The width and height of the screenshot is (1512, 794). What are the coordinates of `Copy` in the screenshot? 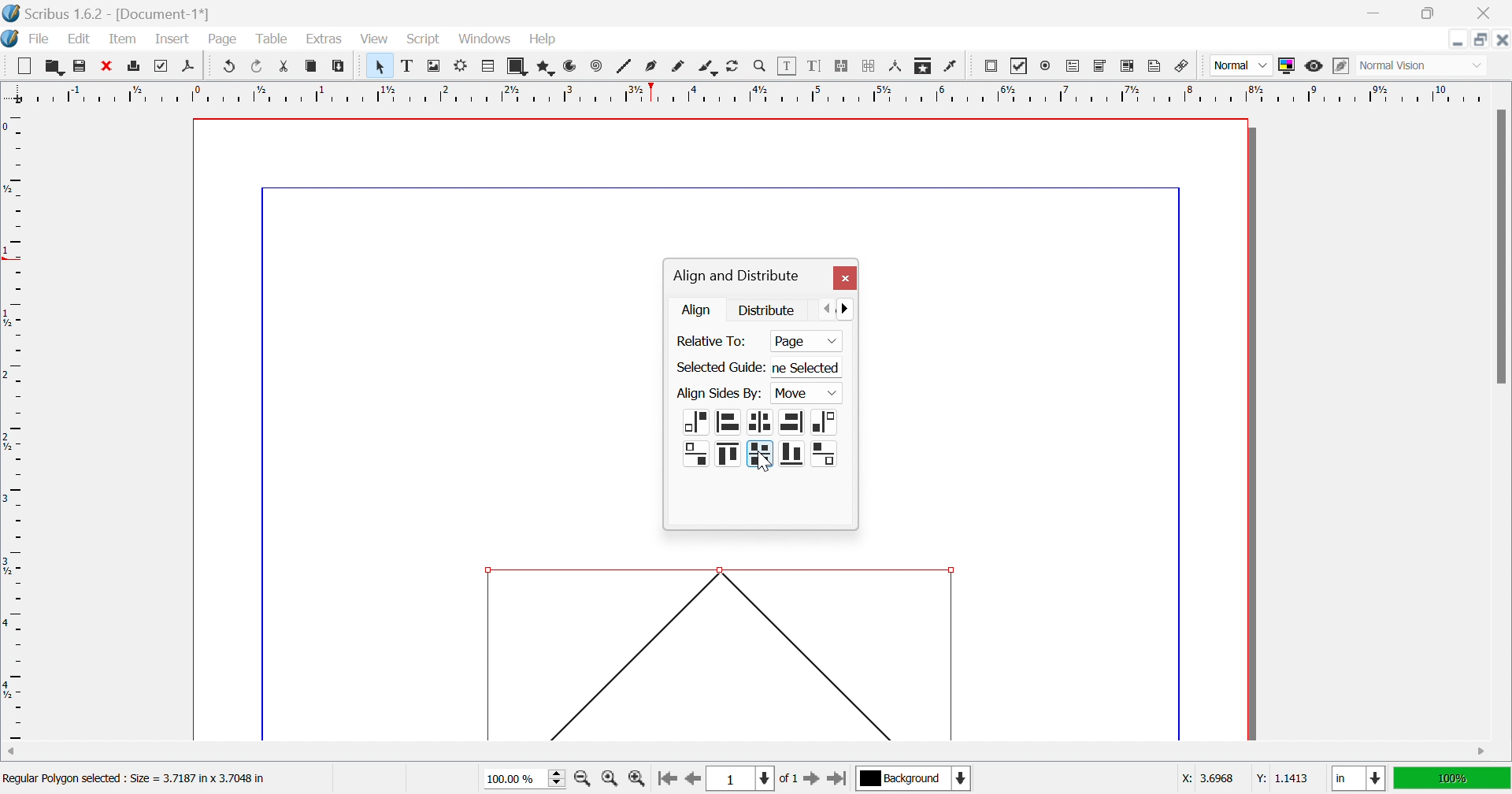 It's located at (311, 65).